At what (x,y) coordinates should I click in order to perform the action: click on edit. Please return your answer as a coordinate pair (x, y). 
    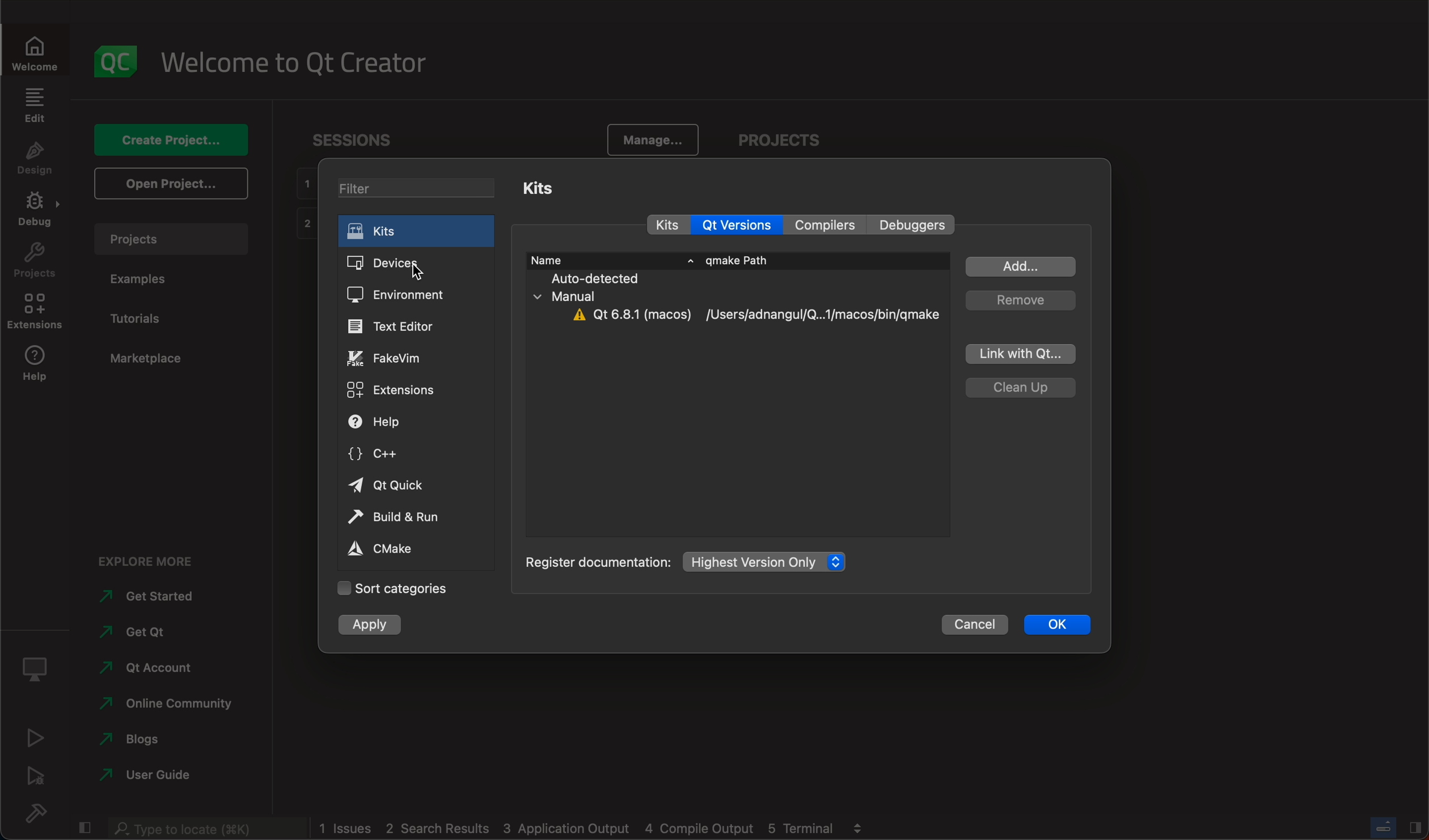
    Looking at the image, I should click on (36, 108).